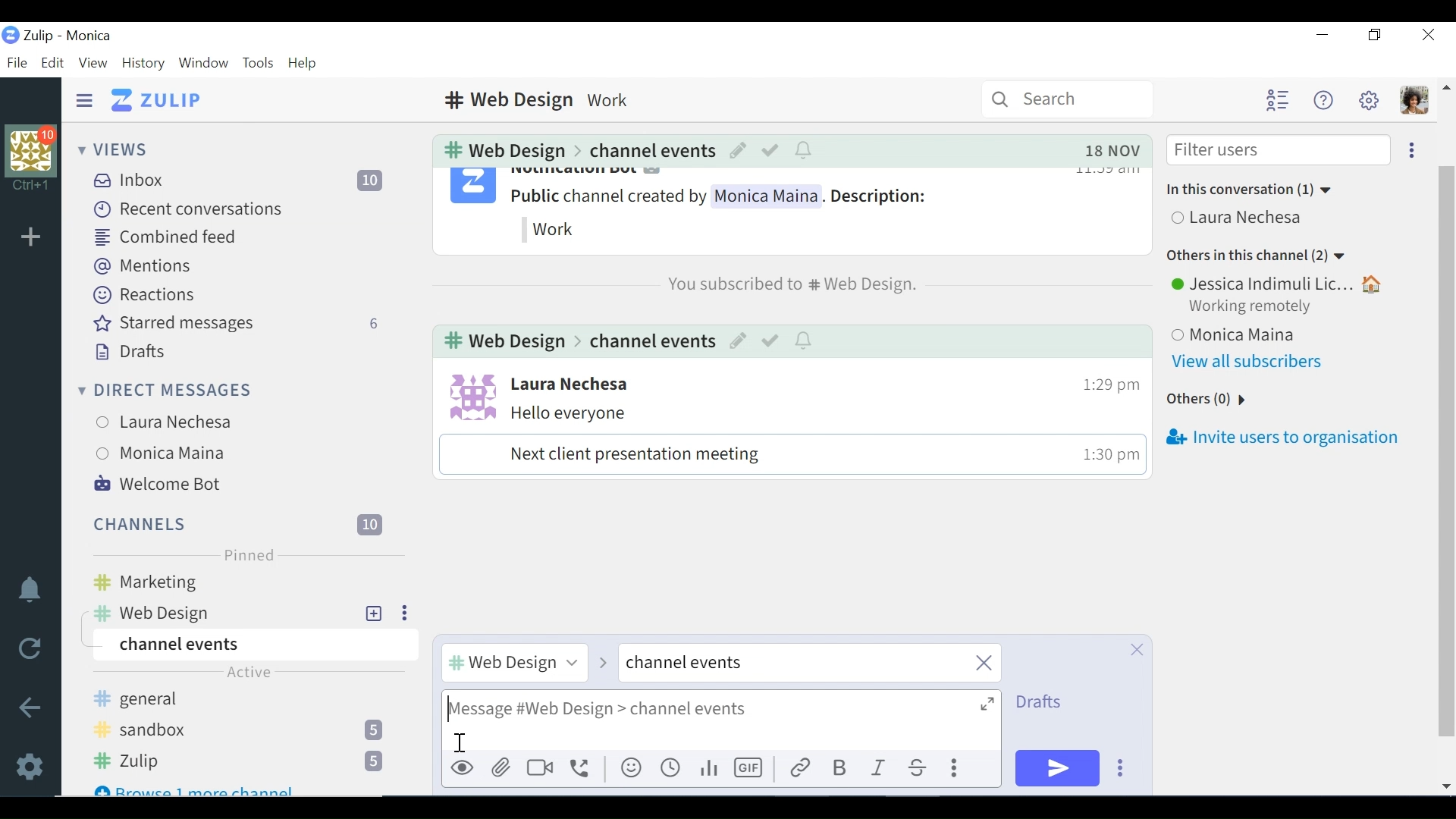  What do you see at coordinates (781, 439) in the screenshot?
I see `Messages` at bounding box center [781, 439].